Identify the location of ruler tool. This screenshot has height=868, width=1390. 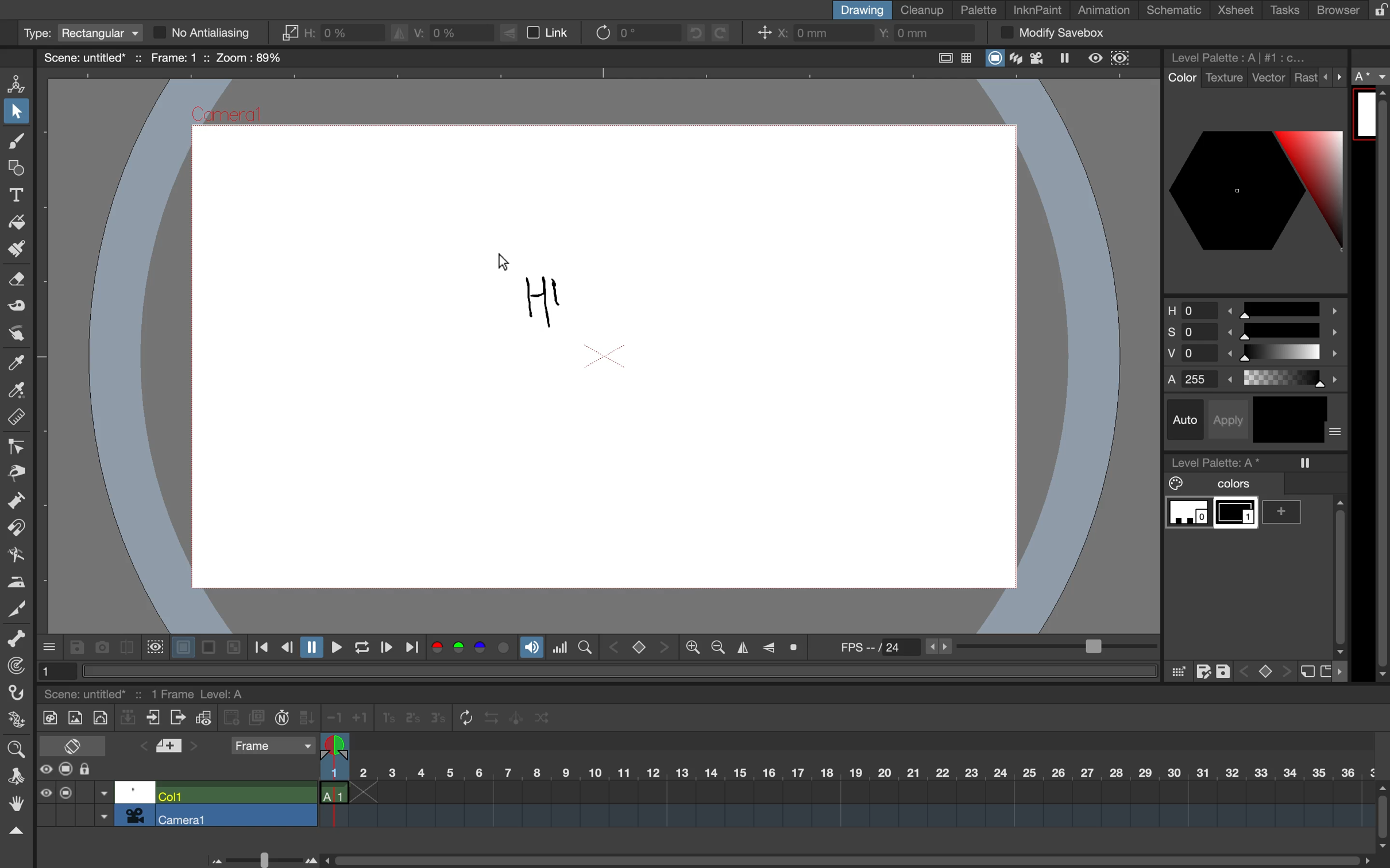
(17, 419).